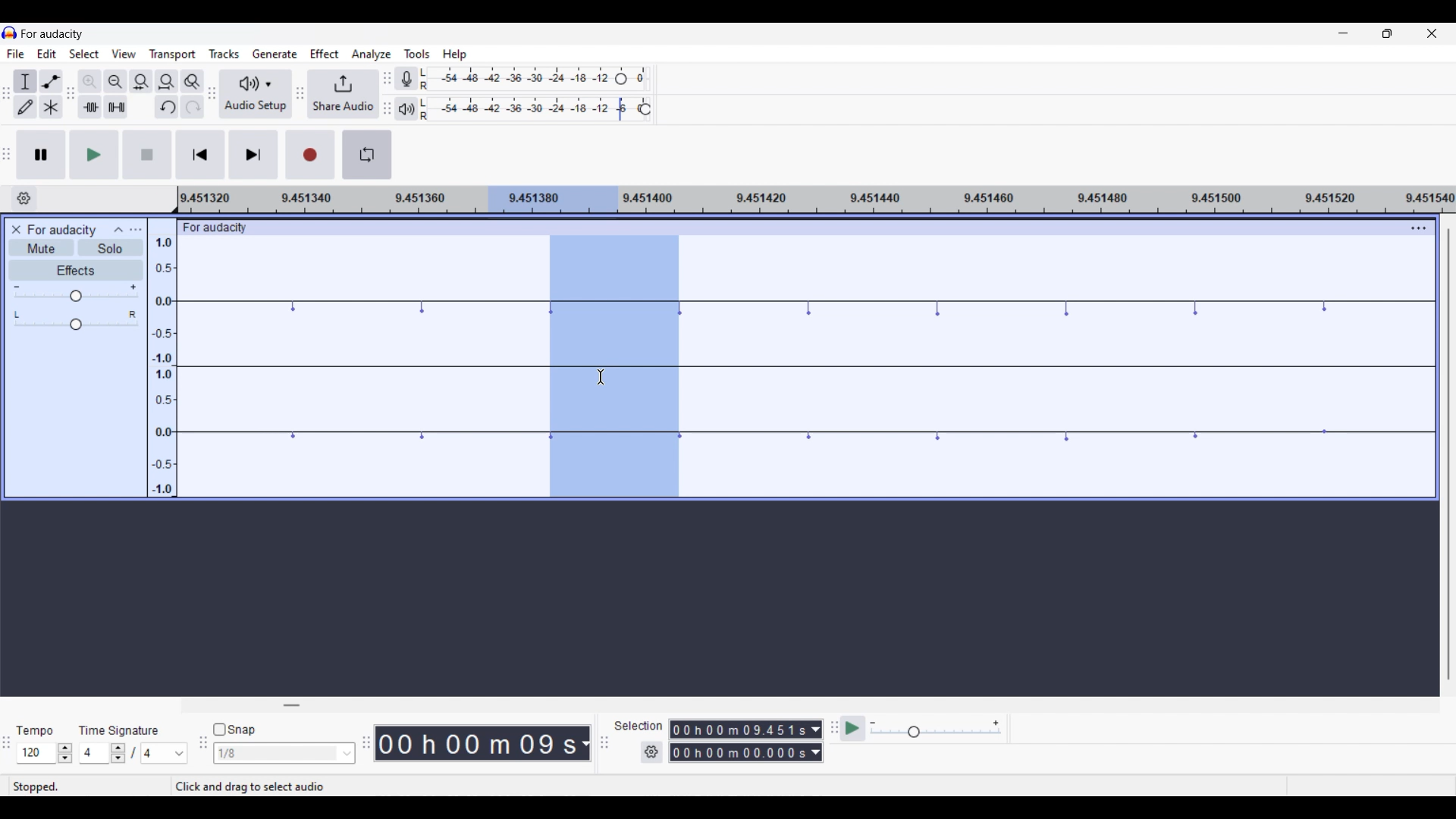 The width and height of the screenshot is (1456, 819). I want to click on Indicates current status of track, so click(39, 786).